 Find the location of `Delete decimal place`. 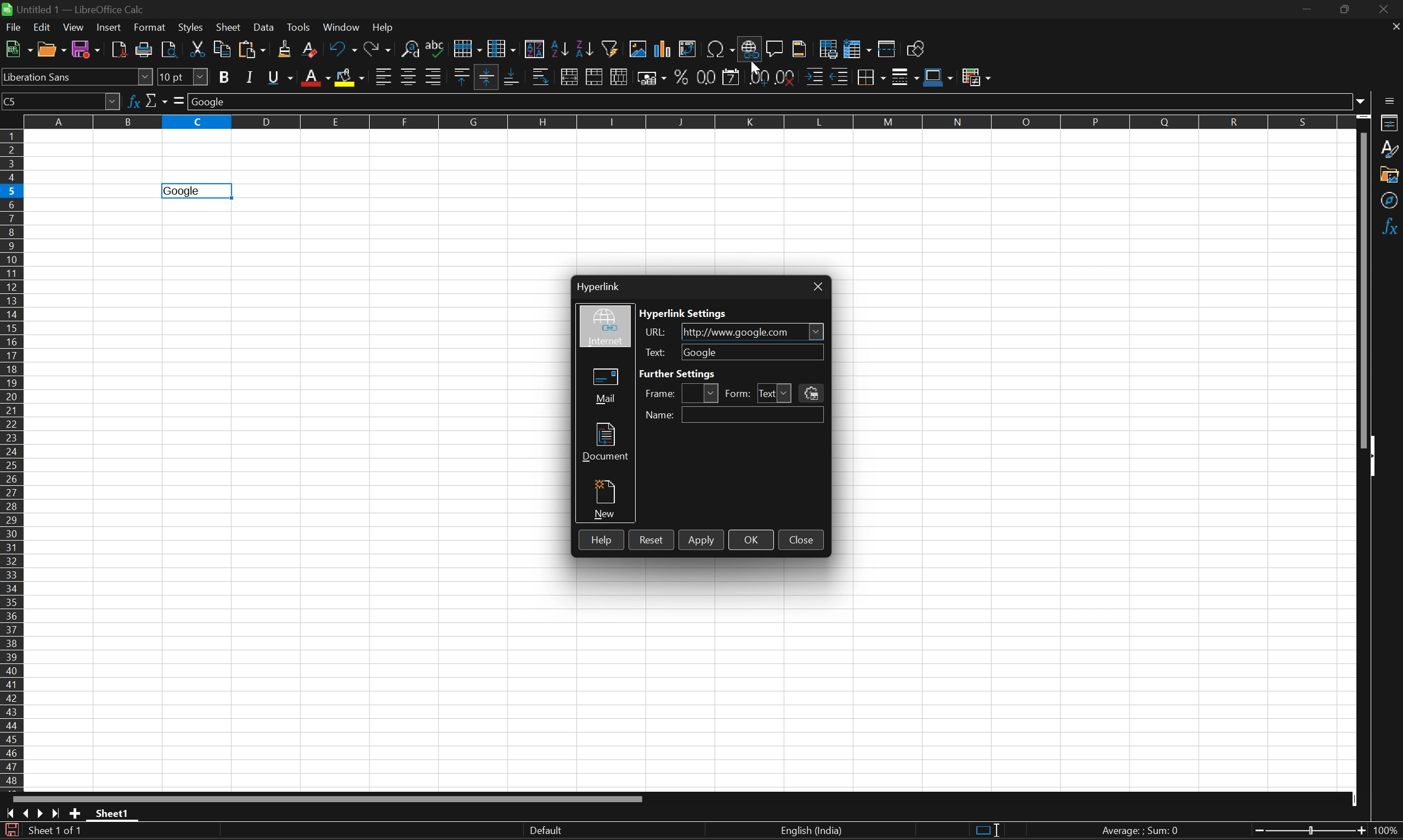

Delete decimal place is located at coordinates (788, 78).